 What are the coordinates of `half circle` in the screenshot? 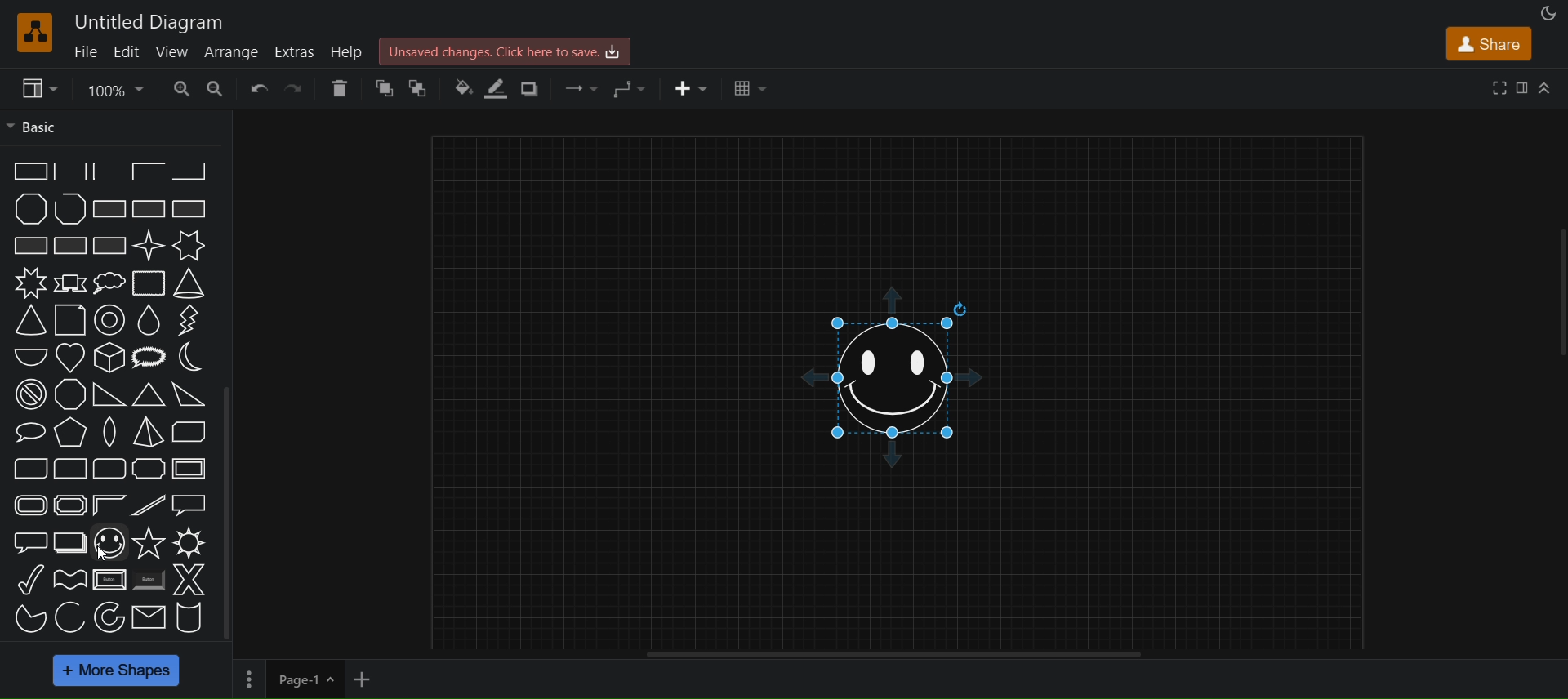 It's located at (25, 355).